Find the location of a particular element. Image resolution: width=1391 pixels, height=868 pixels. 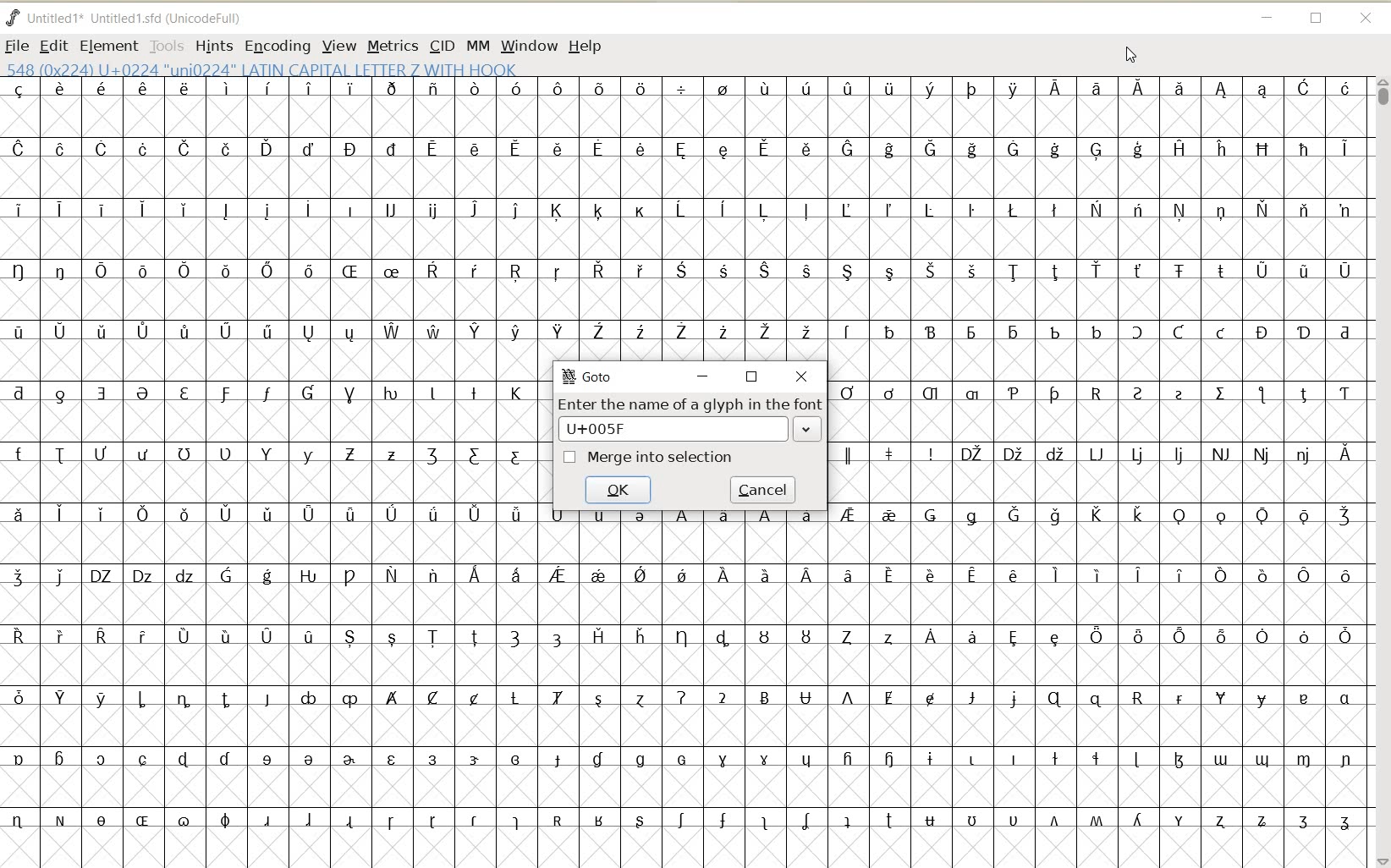

METRICS is located at coordinates (392, 46).